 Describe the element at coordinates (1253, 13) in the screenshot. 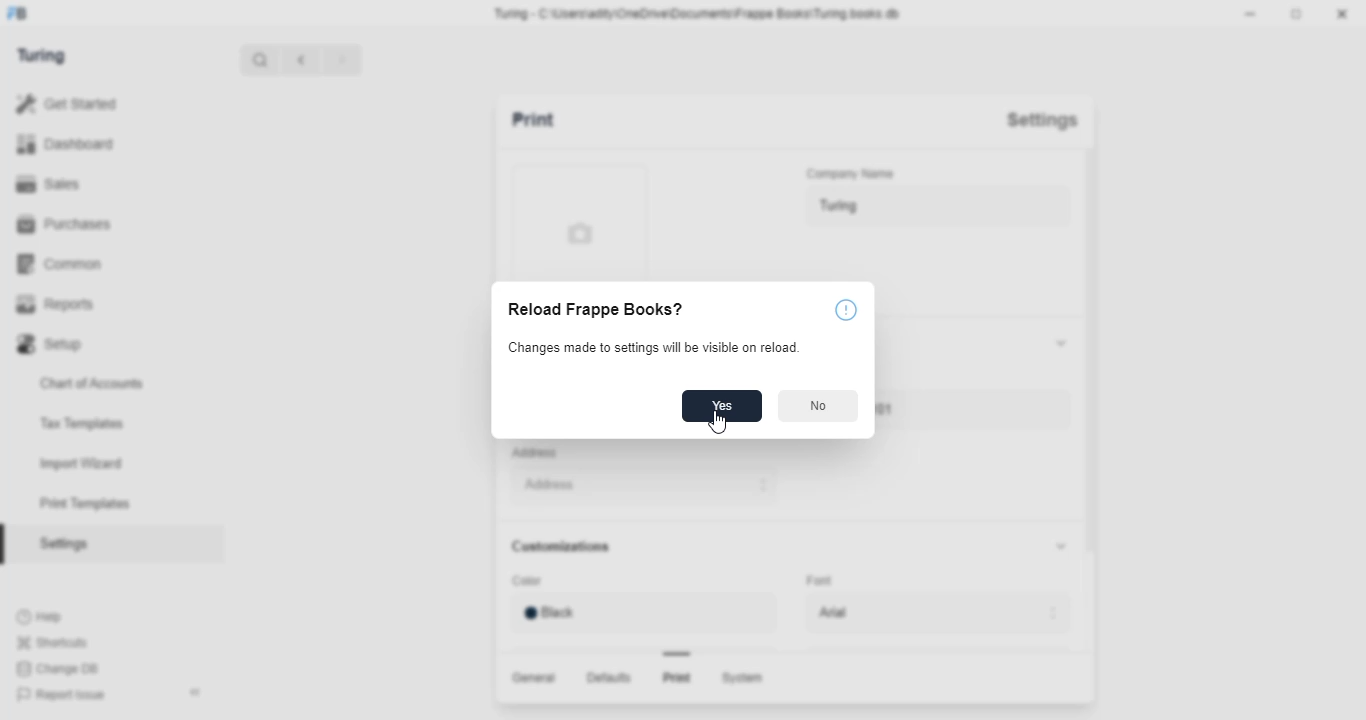

I see `minimise` at that location.